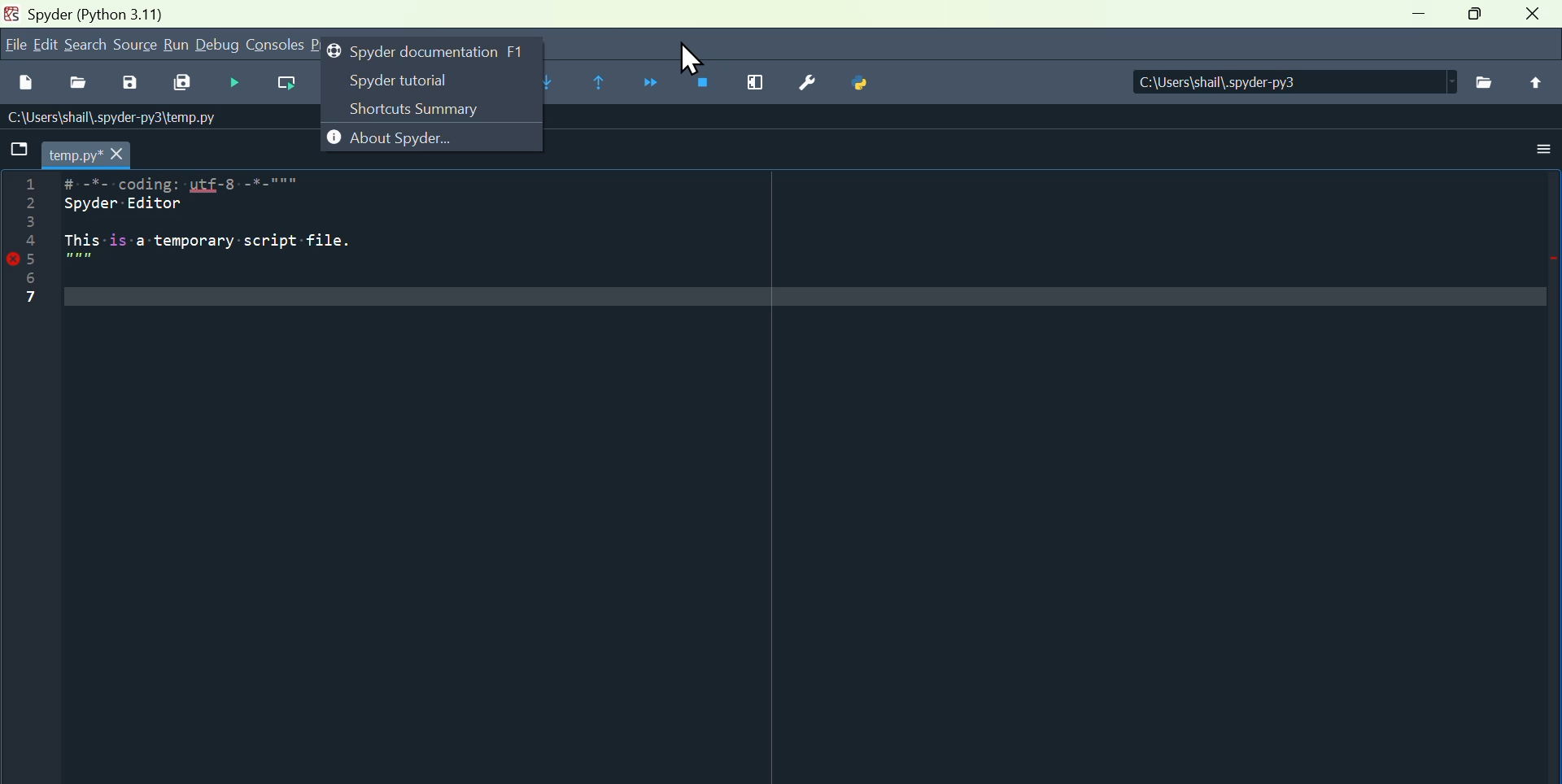 This screenshot has width=1562, height=784. What do you see at coordinates (811, 82) in the screenshot?
I see `Preferences` at bounding box center [811, 82].